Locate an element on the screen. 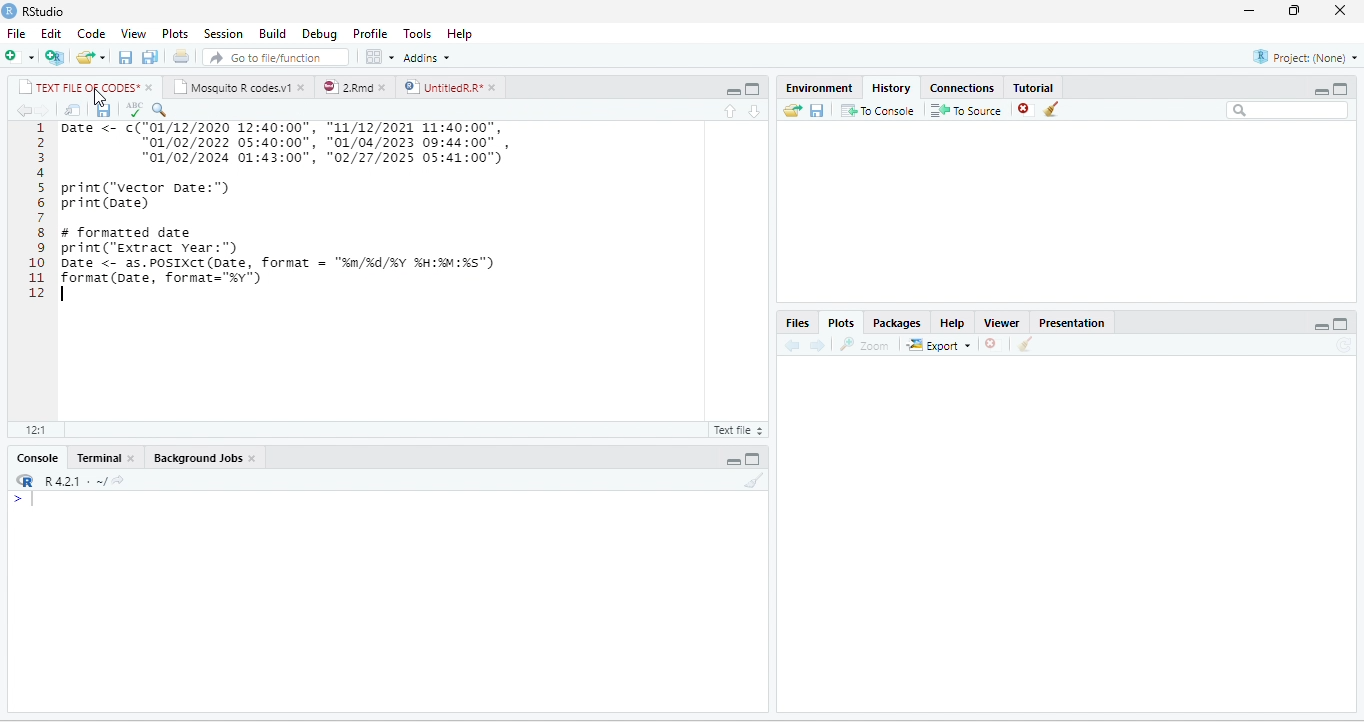  Zoom is located at coordinates (864, 344).